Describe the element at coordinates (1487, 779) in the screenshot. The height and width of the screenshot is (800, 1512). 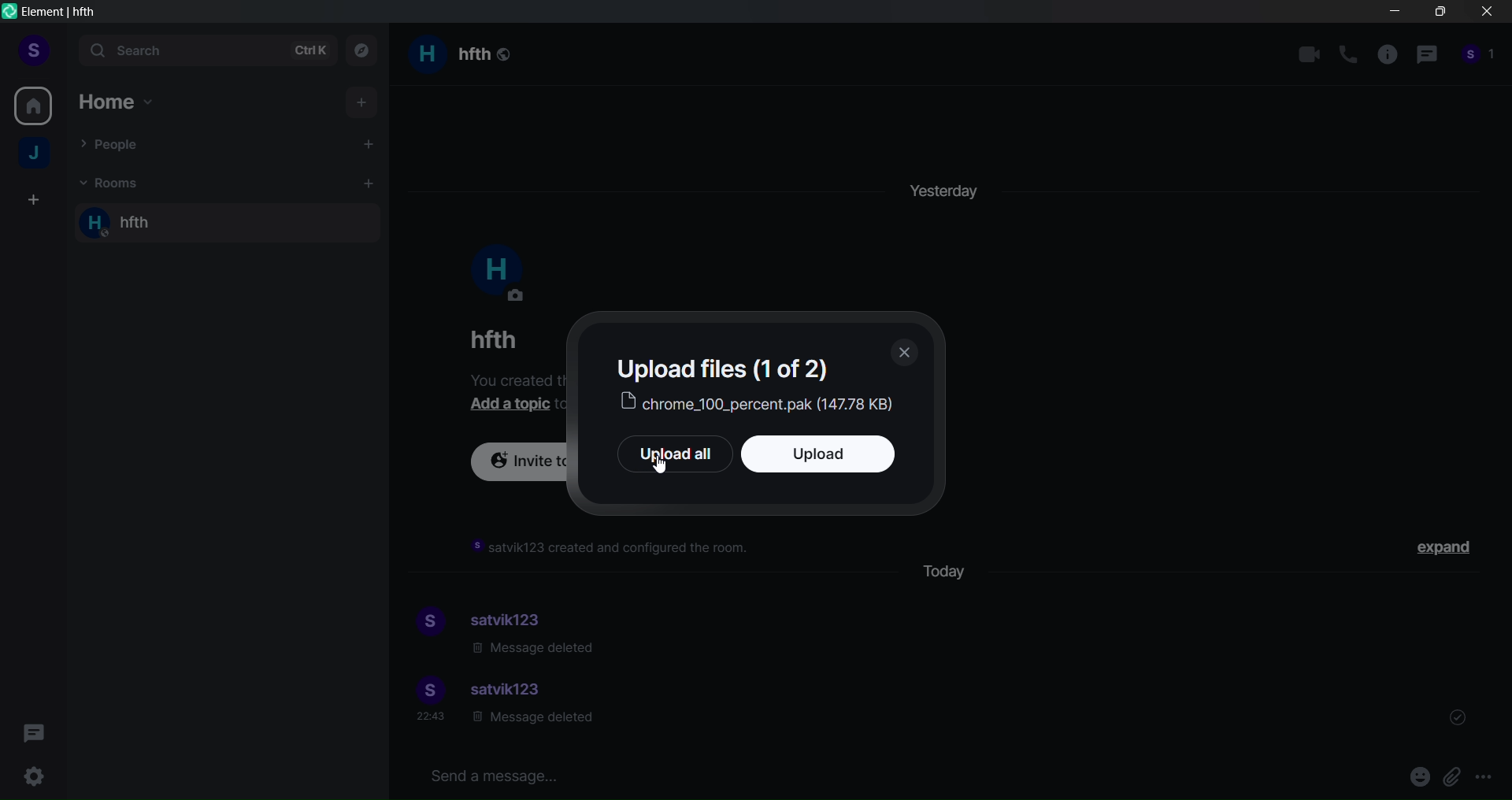
I see `more options` at that location.